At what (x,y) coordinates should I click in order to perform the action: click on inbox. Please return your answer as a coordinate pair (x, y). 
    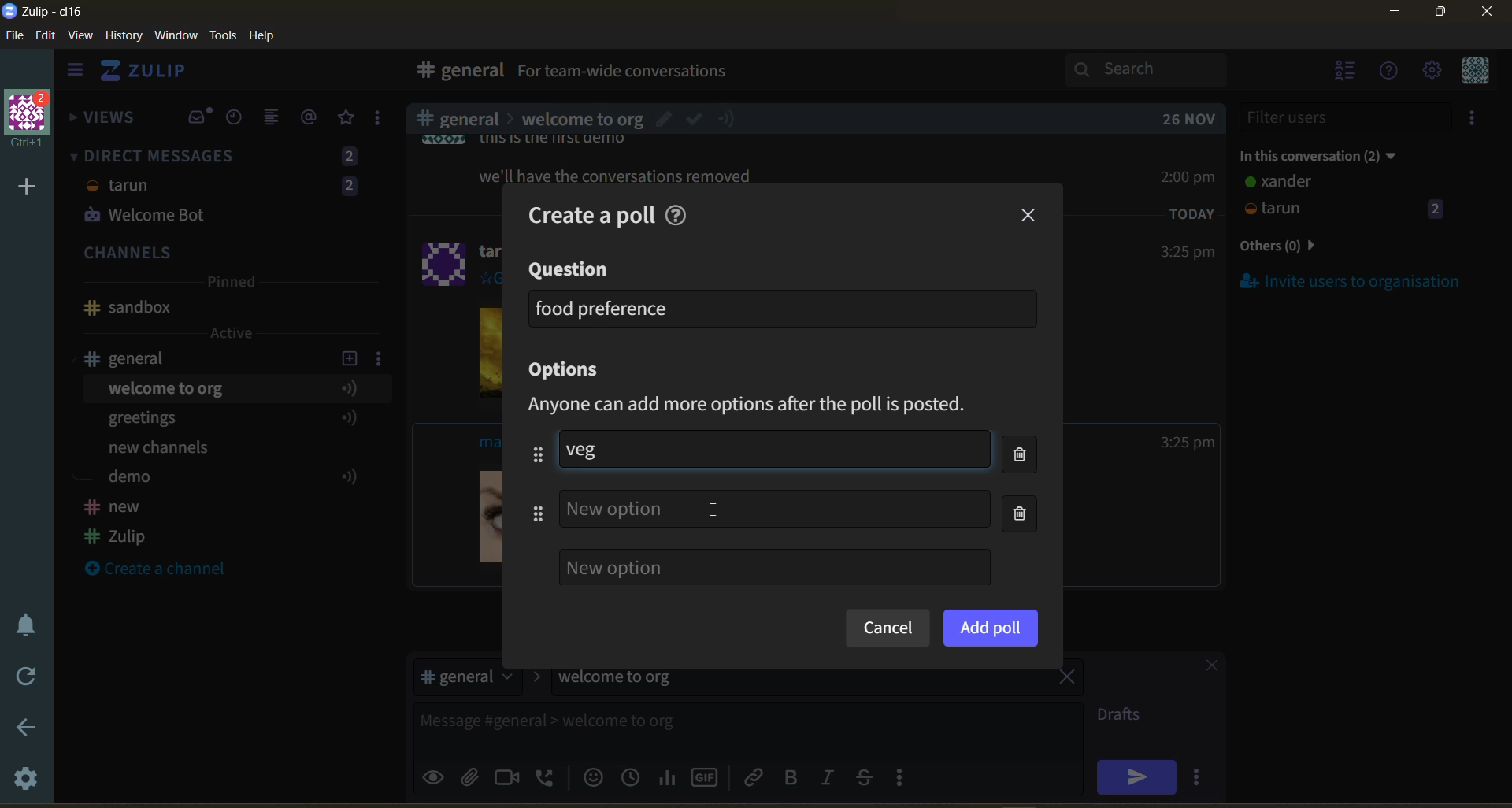
    Looking at the image, I should click on (199, 117).